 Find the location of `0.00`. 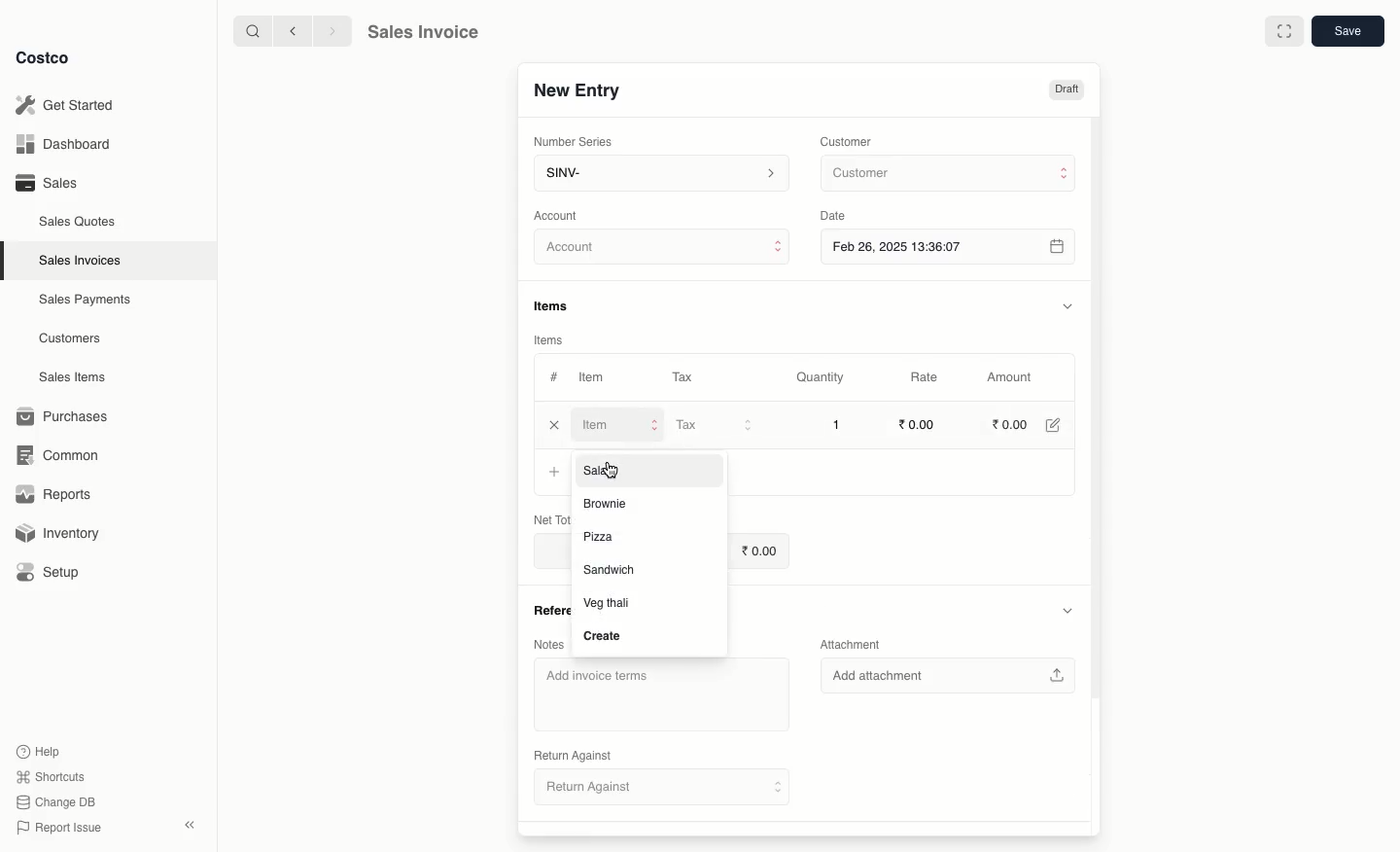

0.00 is located at coordinates (759, 550).